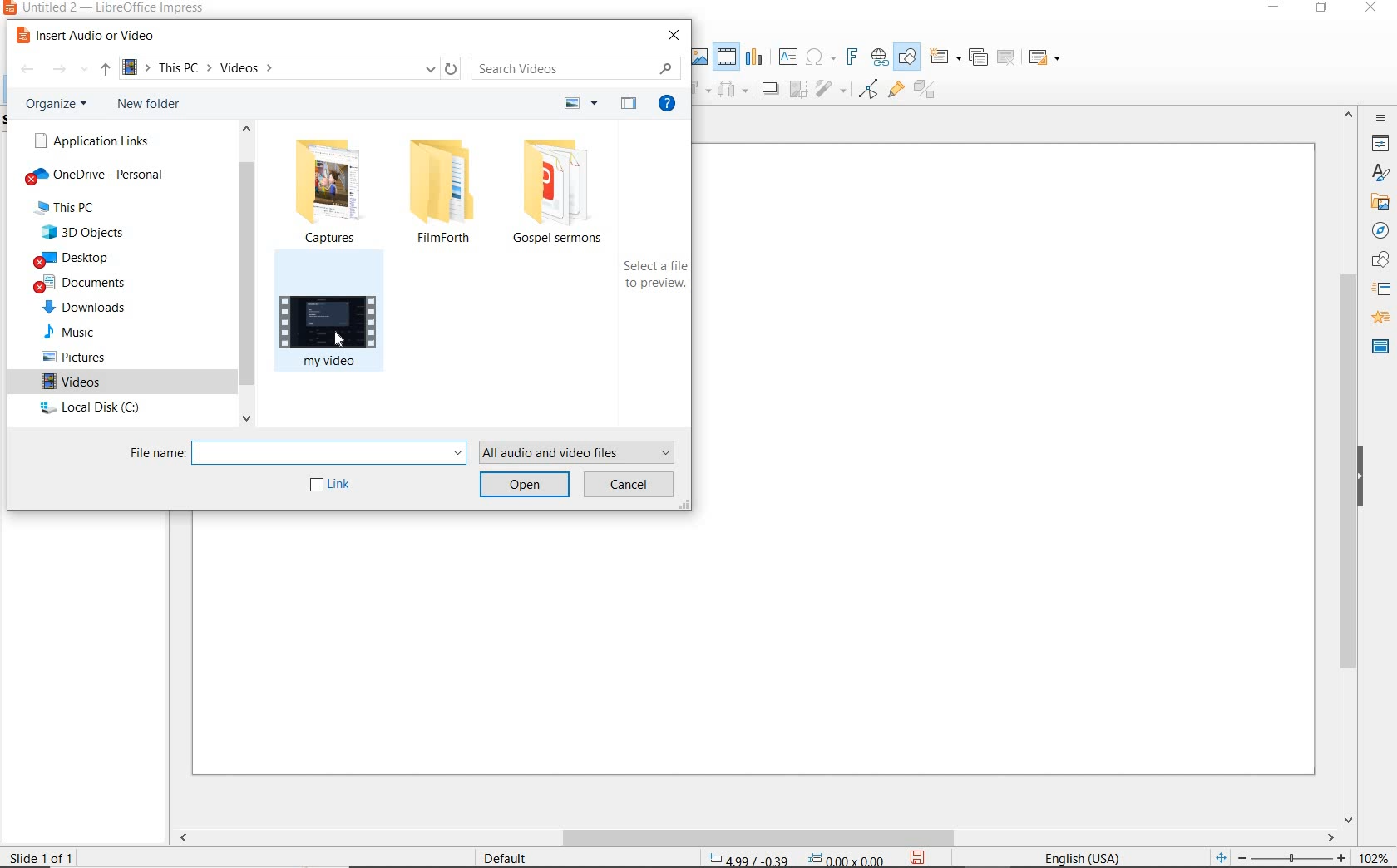 The image size is (1397, 868). What do you see at coordinates (581, 451) in the screenshot?
I see `all audio and video files` at bounding box center [581, 451].